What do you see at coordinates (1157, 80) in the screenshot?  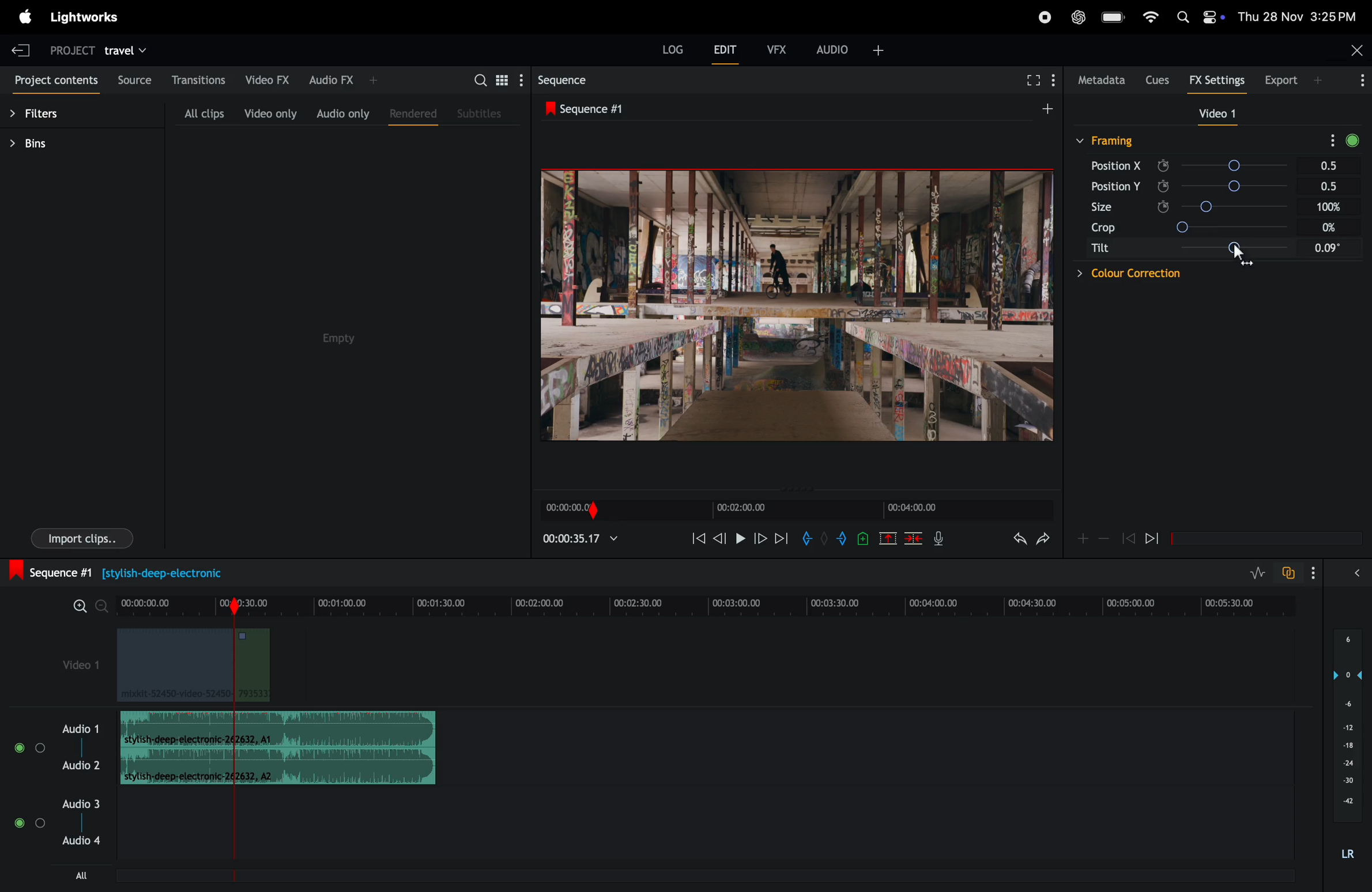 I see `cues` at bounding box center [1157, 80].